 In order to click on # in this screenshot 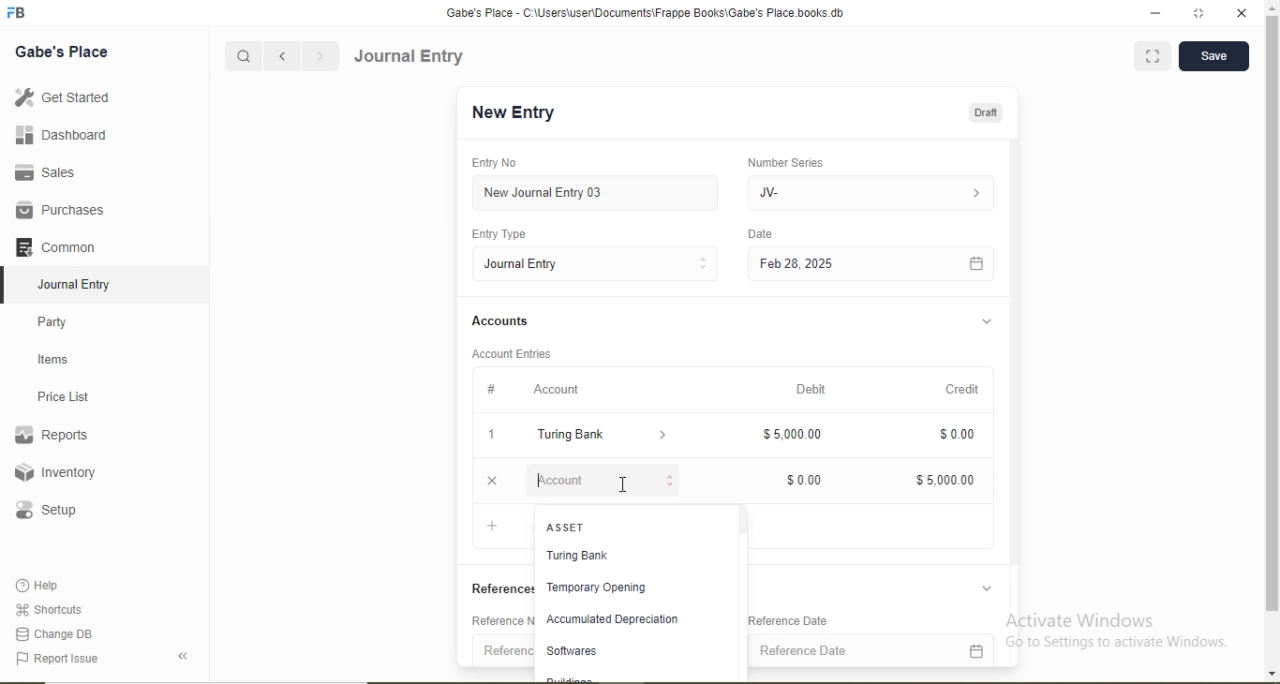, I will do `click(491, 388)`.